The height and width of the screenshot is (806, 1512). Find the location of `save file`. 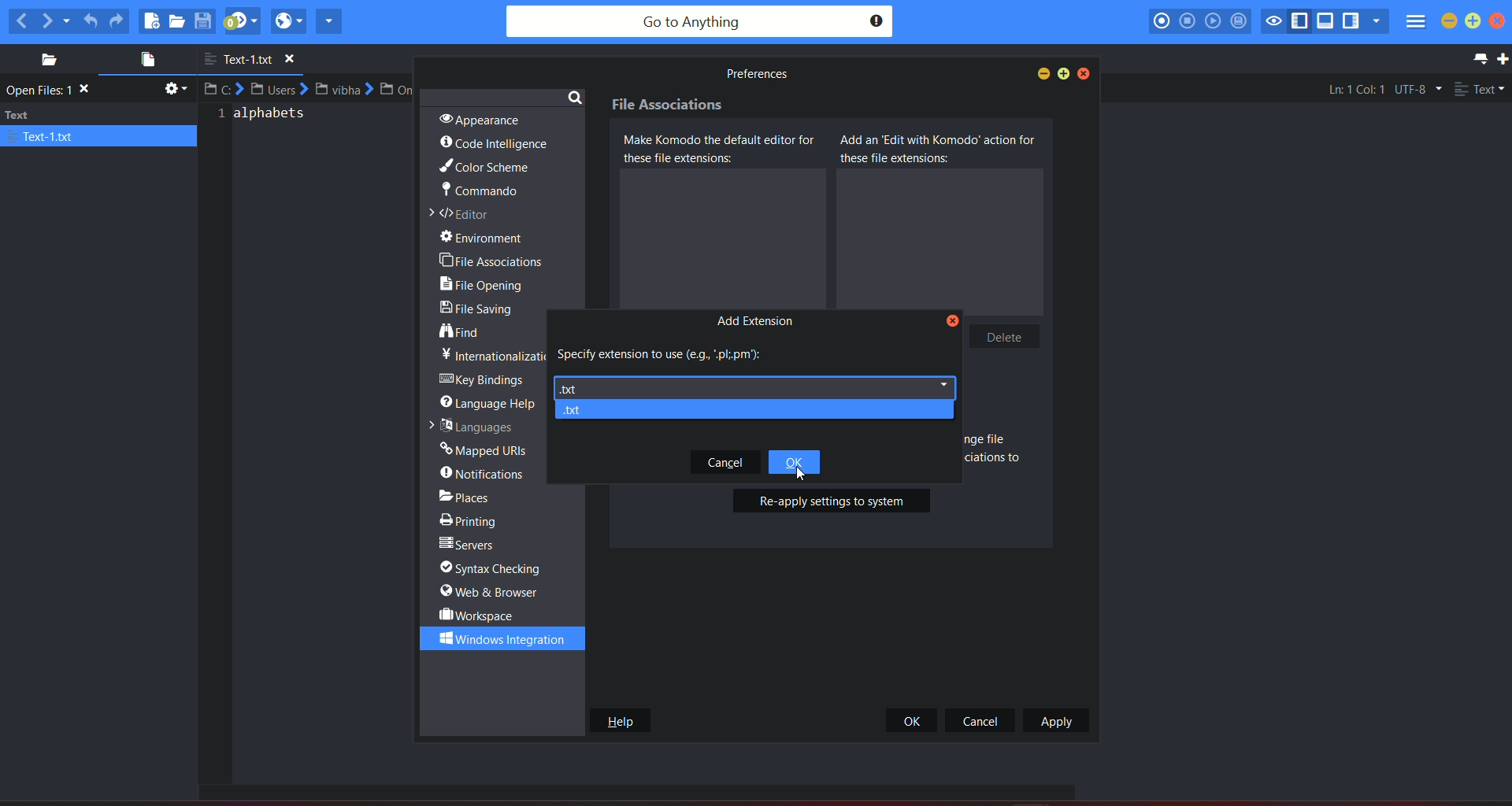

save file is located at coordinates (205, 20).